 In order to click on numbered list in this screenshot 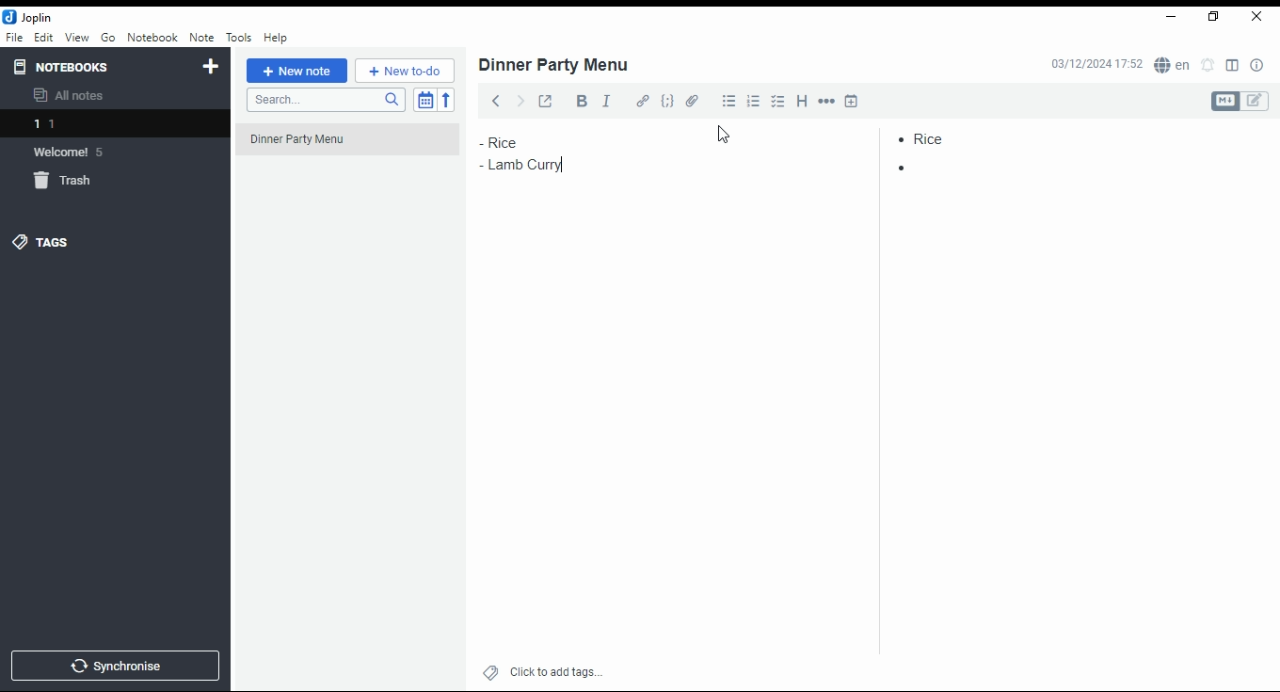, I will do `click(756, 101)`.